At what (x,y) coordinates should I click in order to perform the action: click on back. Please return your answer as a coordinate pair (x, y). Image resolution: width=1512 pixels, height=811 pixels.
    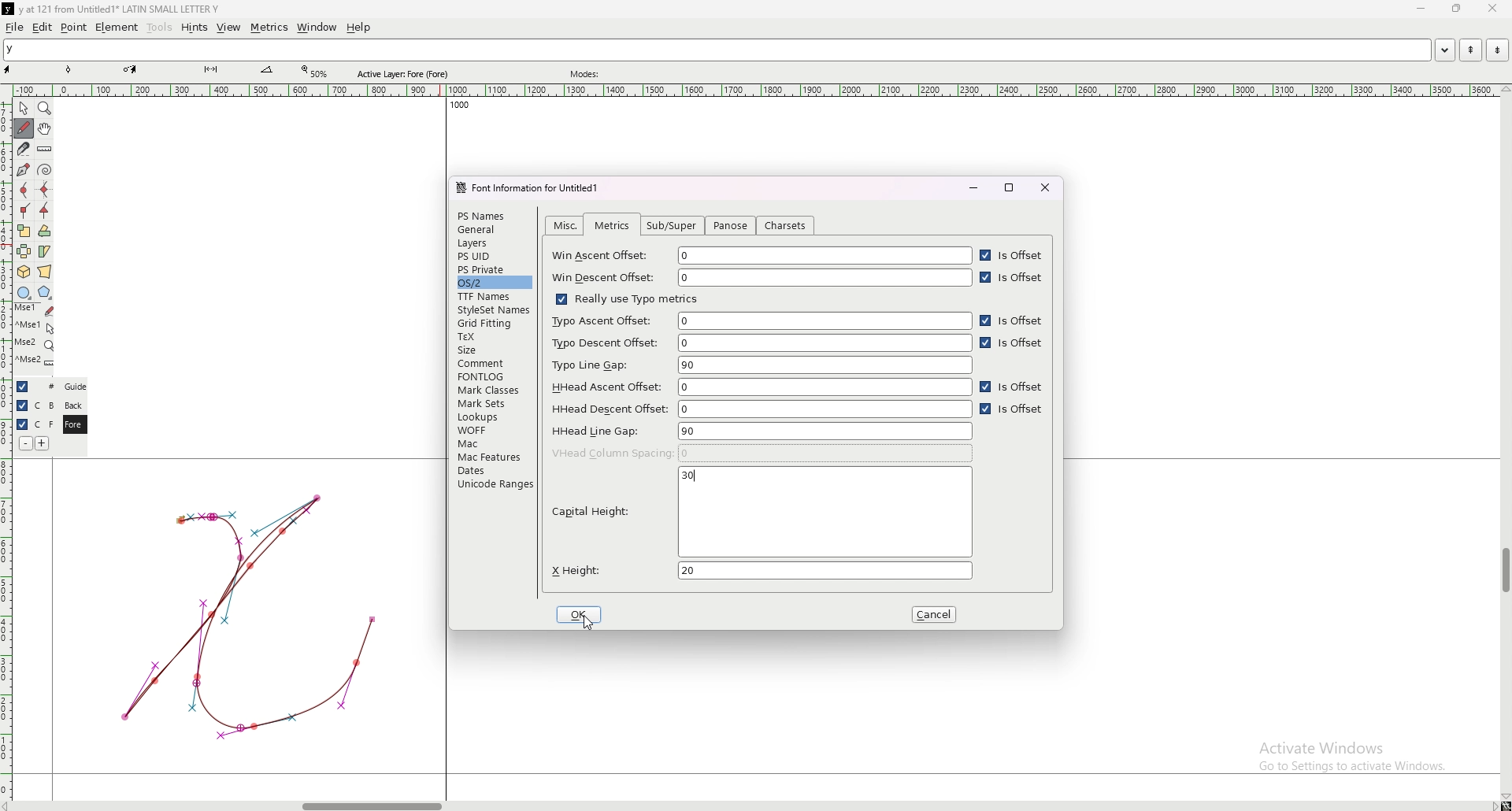
    Looking at the image, I should click on (73, 405).